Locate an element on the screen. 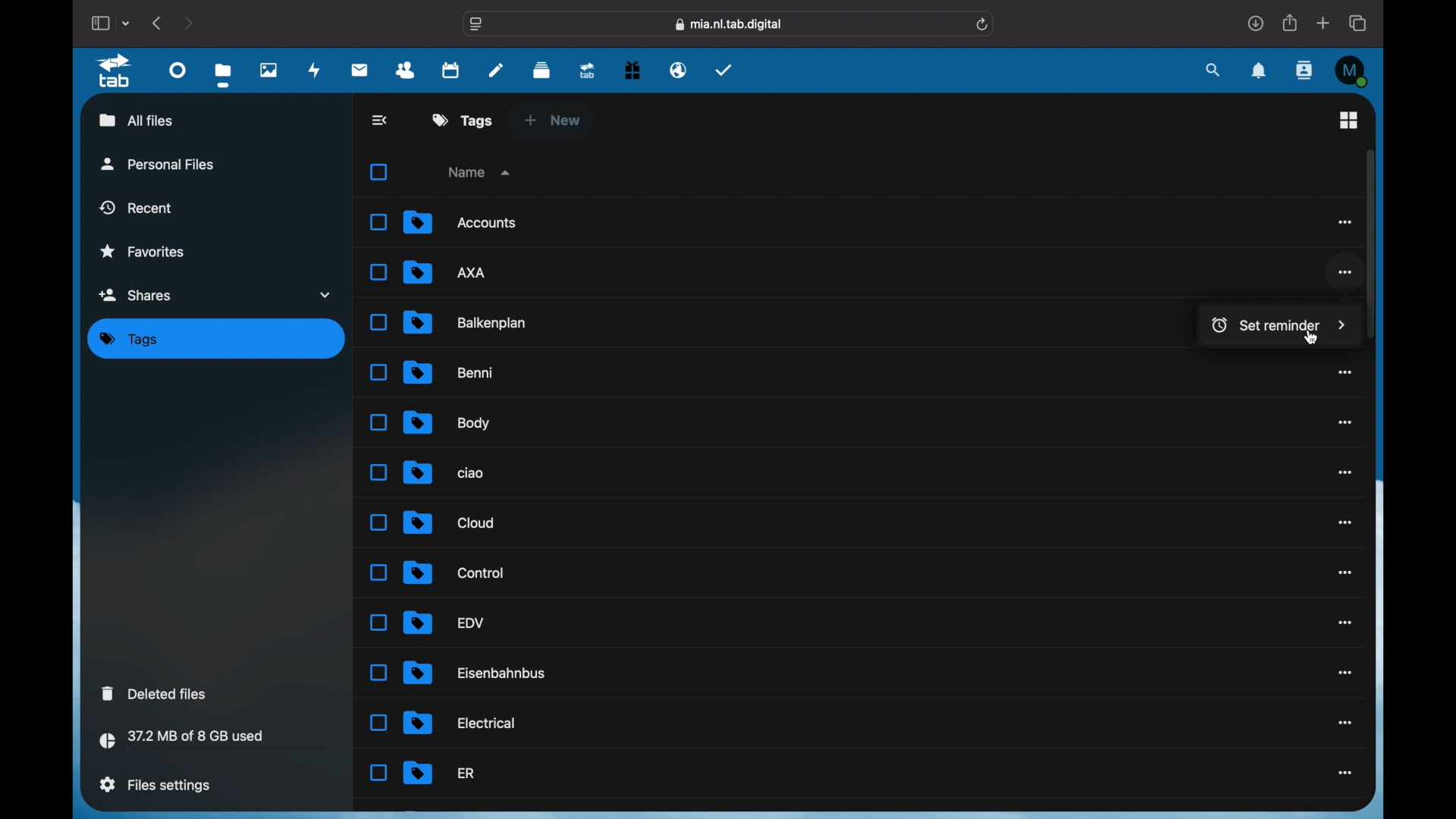 The width and height of the screenshot is (1456, 819). Unselected Checkbox is located at coordinates (381, 372).